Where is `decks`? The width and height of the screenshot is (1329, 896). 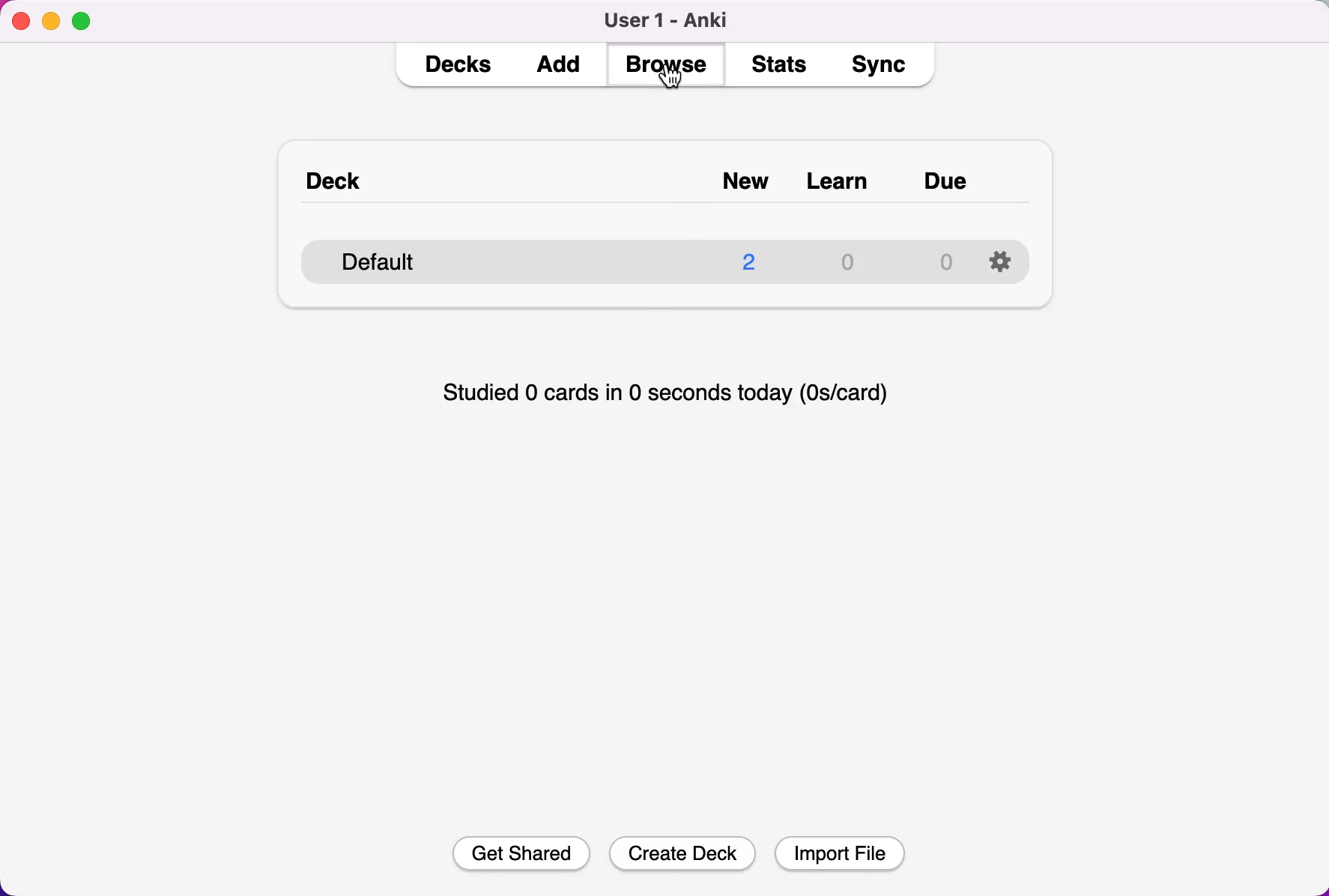 decks is located at coordinates (464, 69).